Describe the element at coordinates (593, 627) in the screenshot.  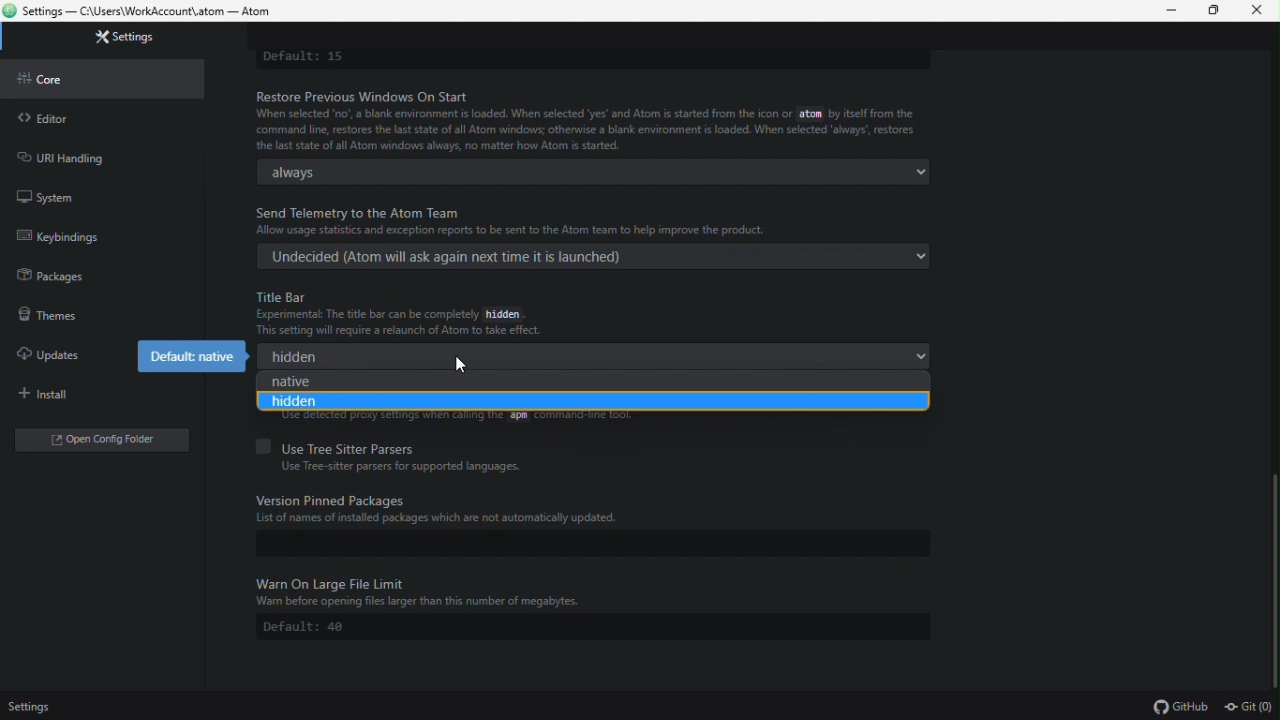
I see `Default: 40` at that location.